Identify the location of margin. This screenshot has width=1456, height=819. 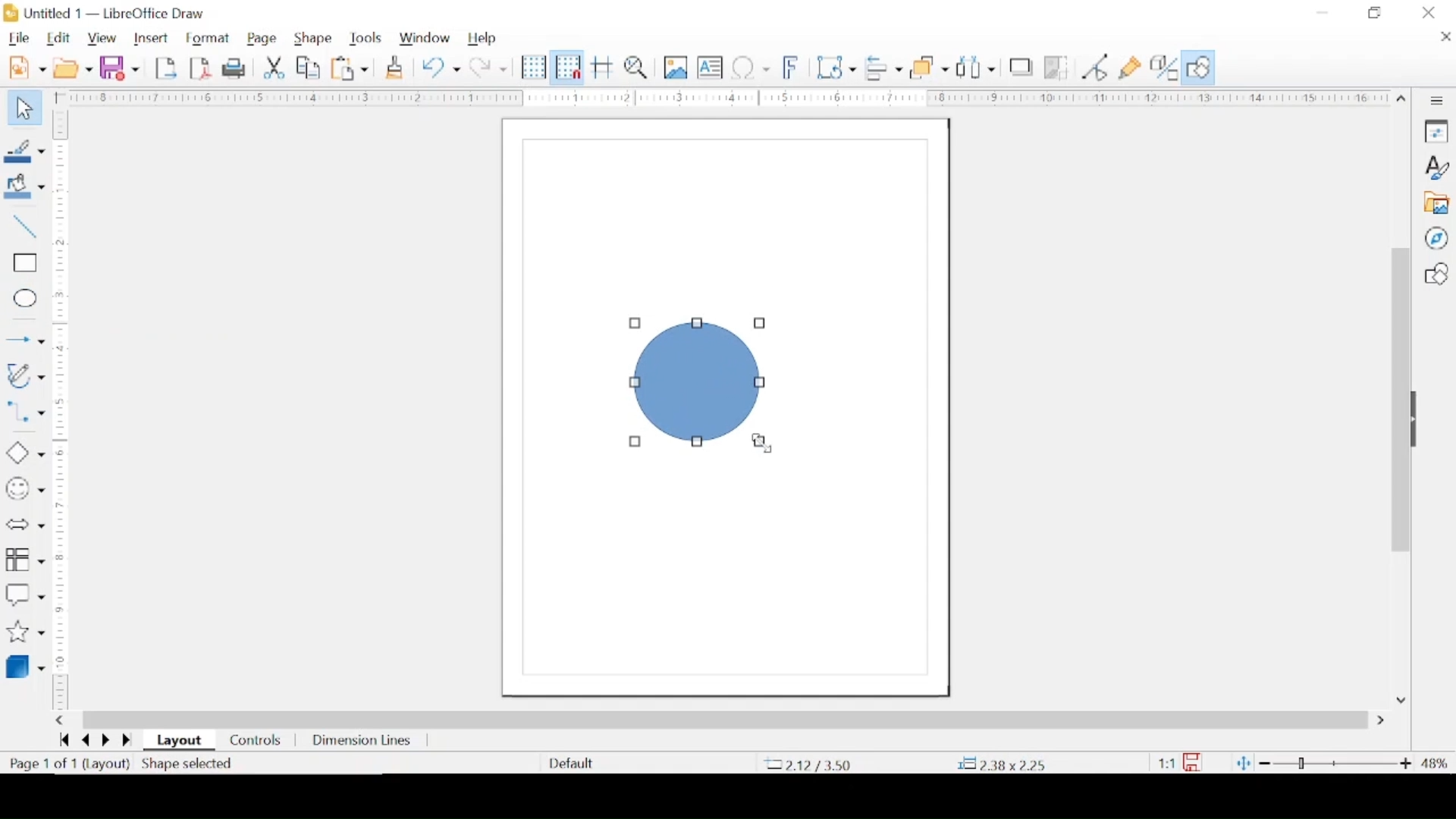
(63, 212).